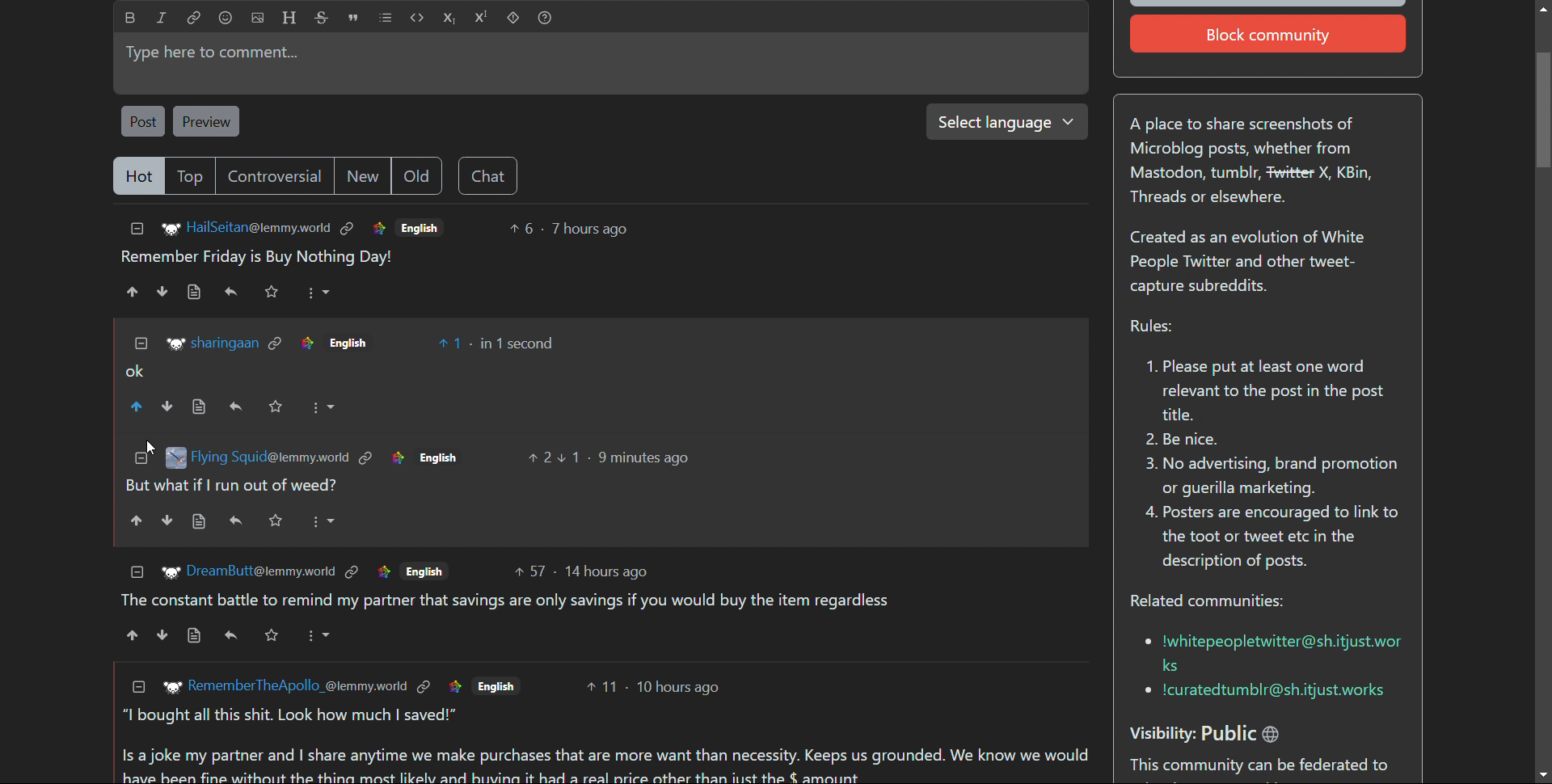 This screenshot has height=784, width=1552. What do you see at coordinates (142, 120) in the screenshot?
I see `post` at bounding box center [142, 120].